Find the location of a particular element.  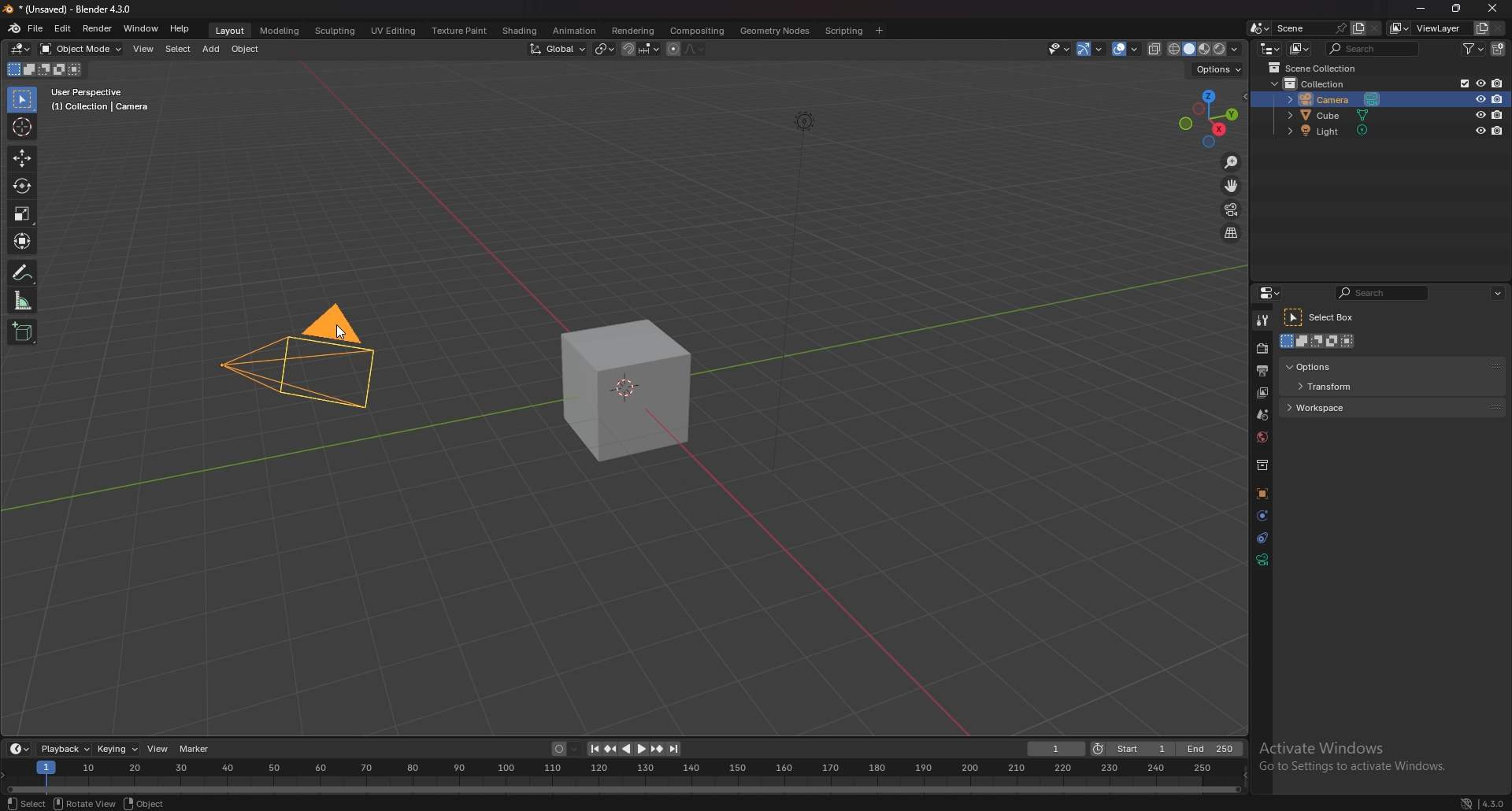

select is located at coordinates (176, 49).